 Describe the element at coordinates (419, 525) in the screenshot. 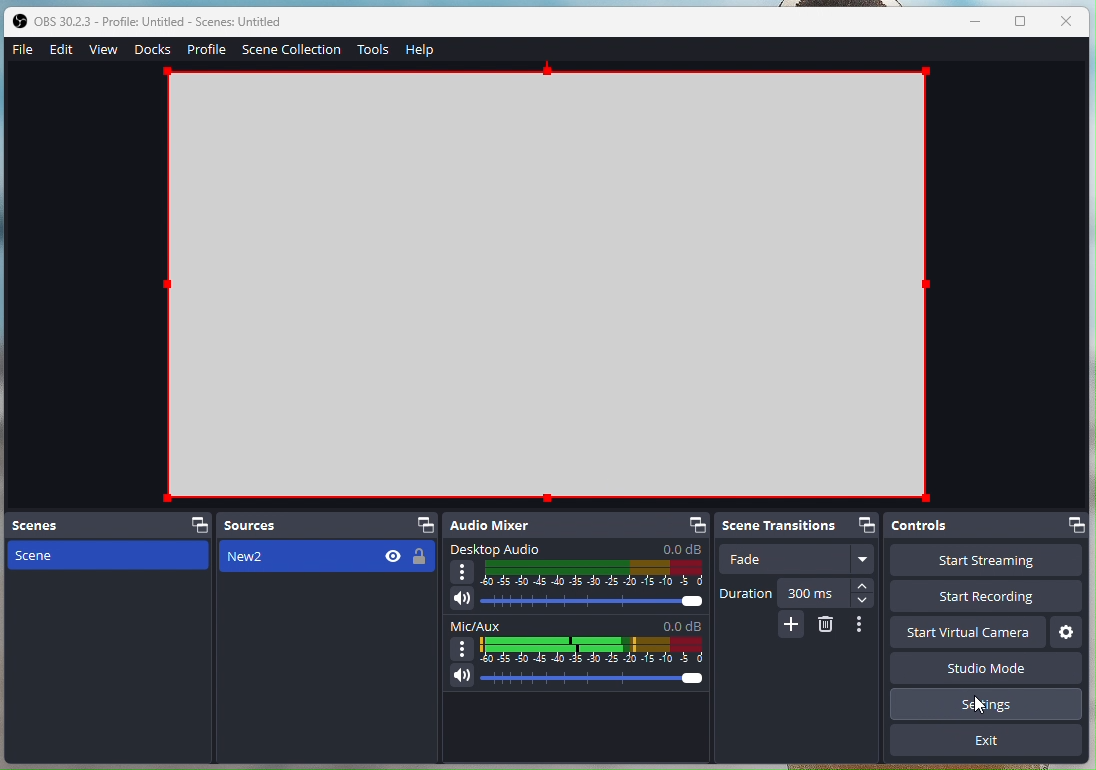

I see `dock options` at that location.